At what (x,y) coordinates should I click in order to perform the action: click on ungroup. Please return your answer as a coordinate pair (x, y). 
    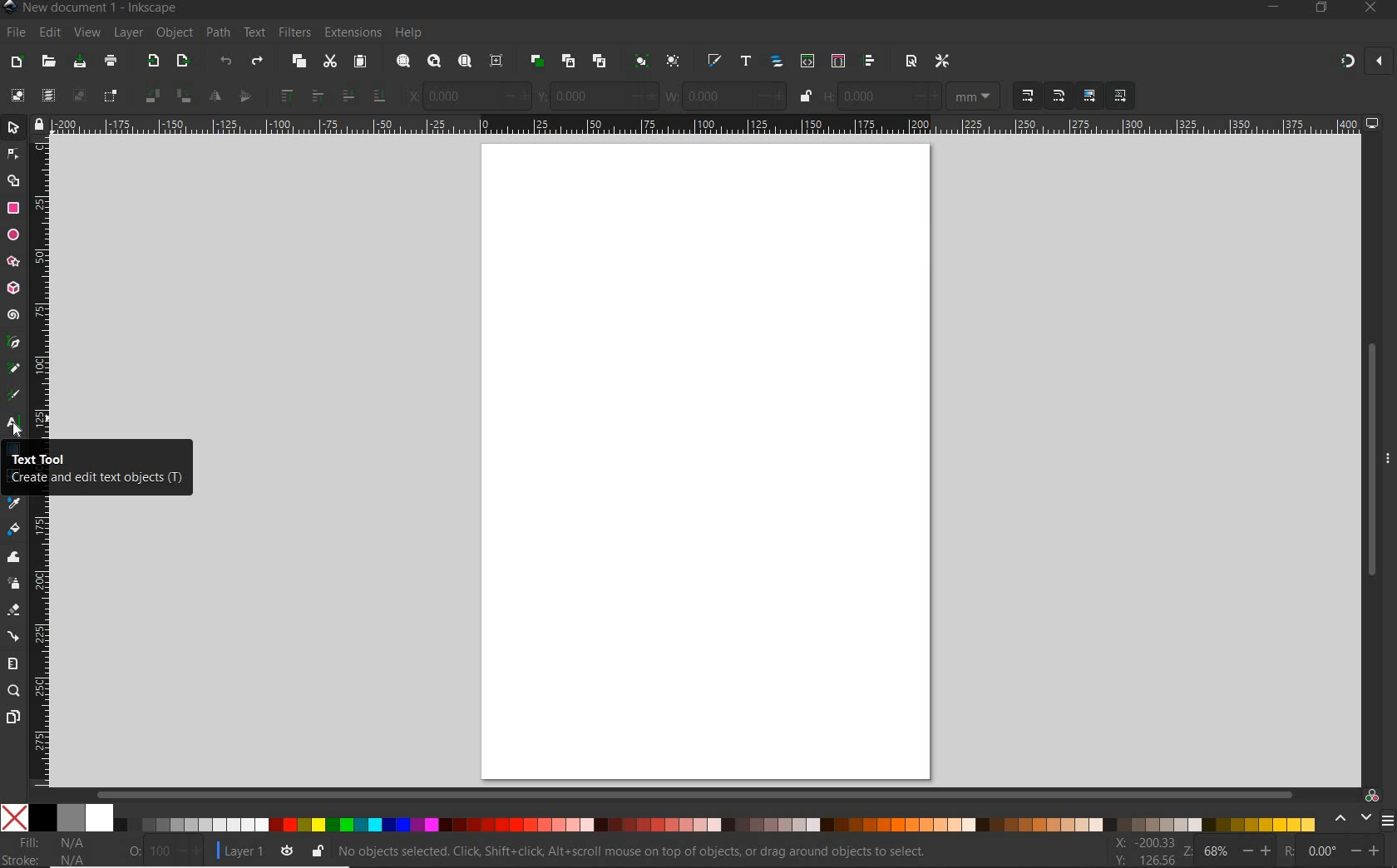
    Looking at the image, I should click on (673, 62).